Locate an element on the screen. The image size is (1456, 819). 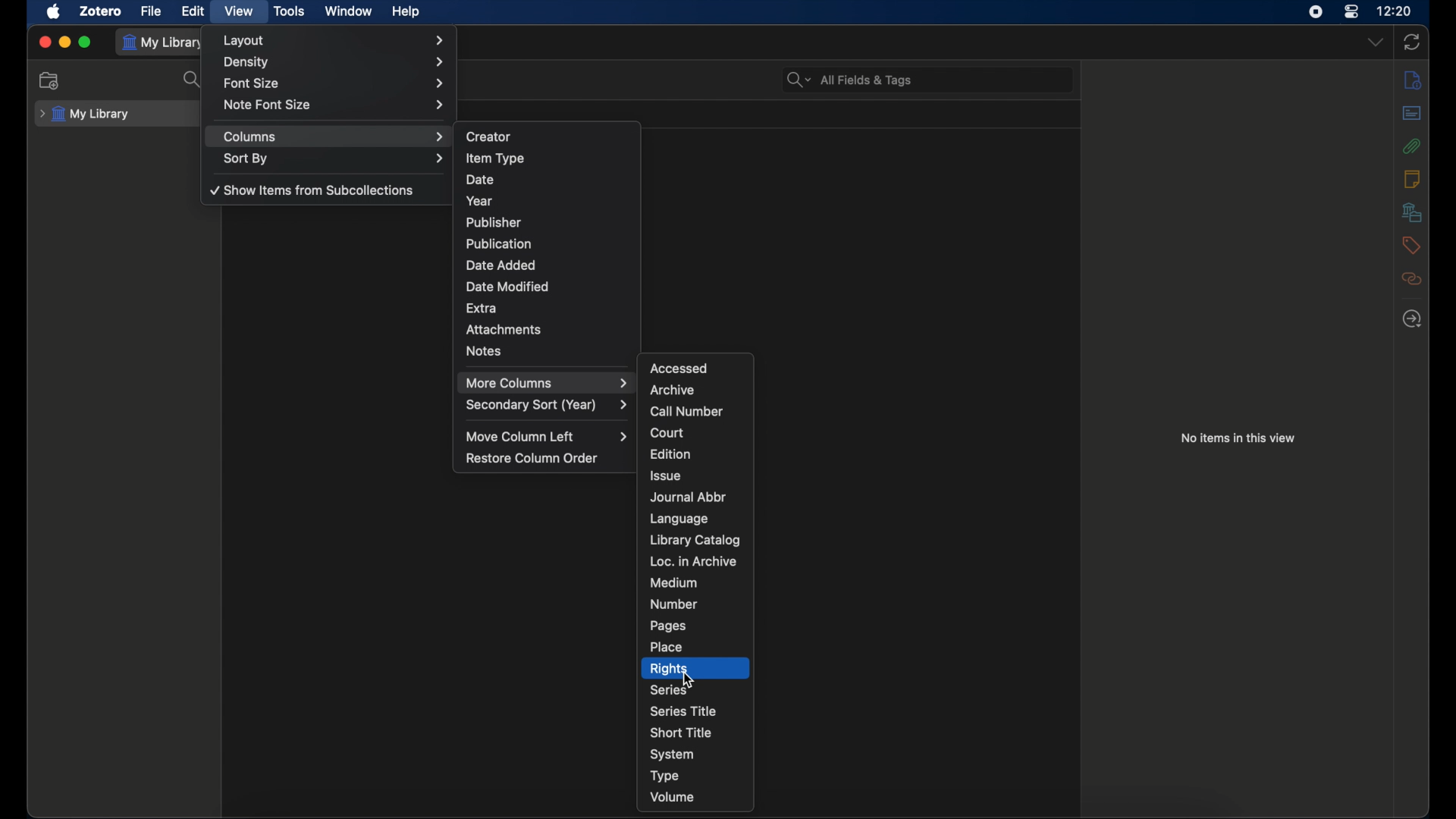
screen recorder is located at coordinates (1316, 12).